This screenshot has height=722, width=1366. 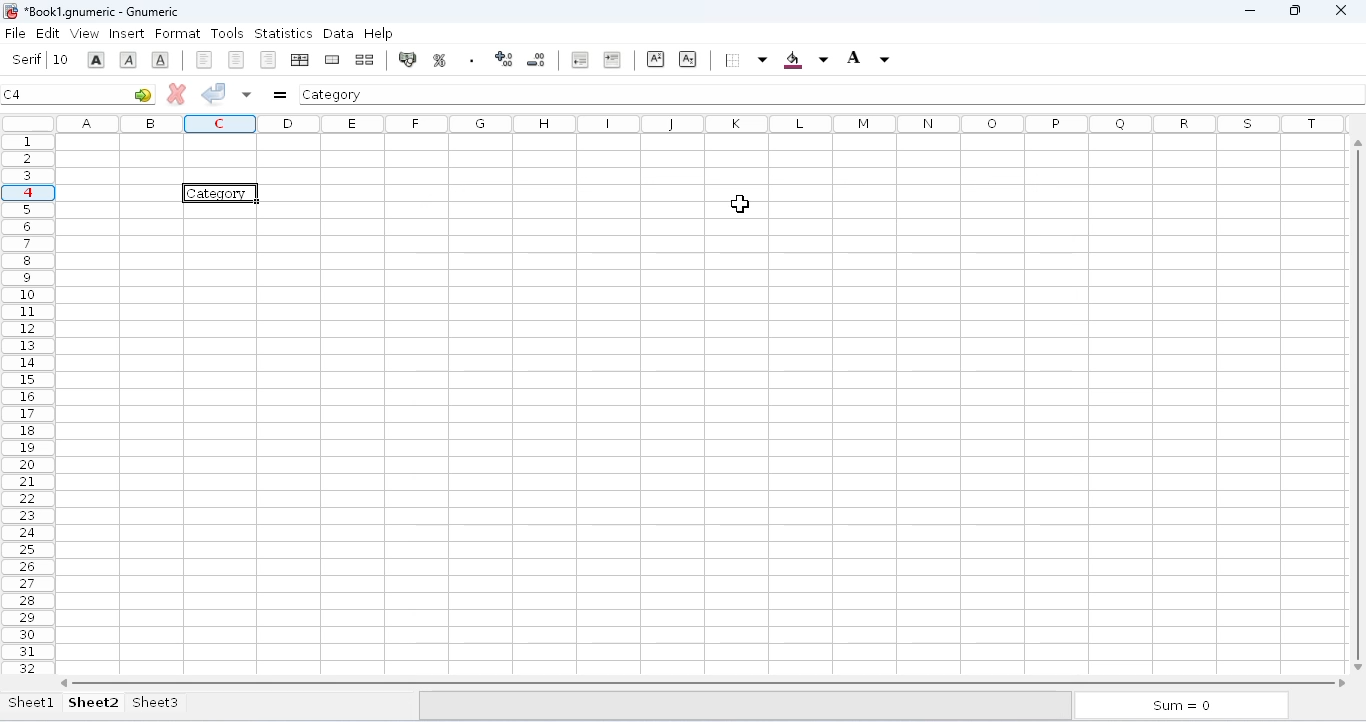 I want to click on file, so click(x=15, y=33).